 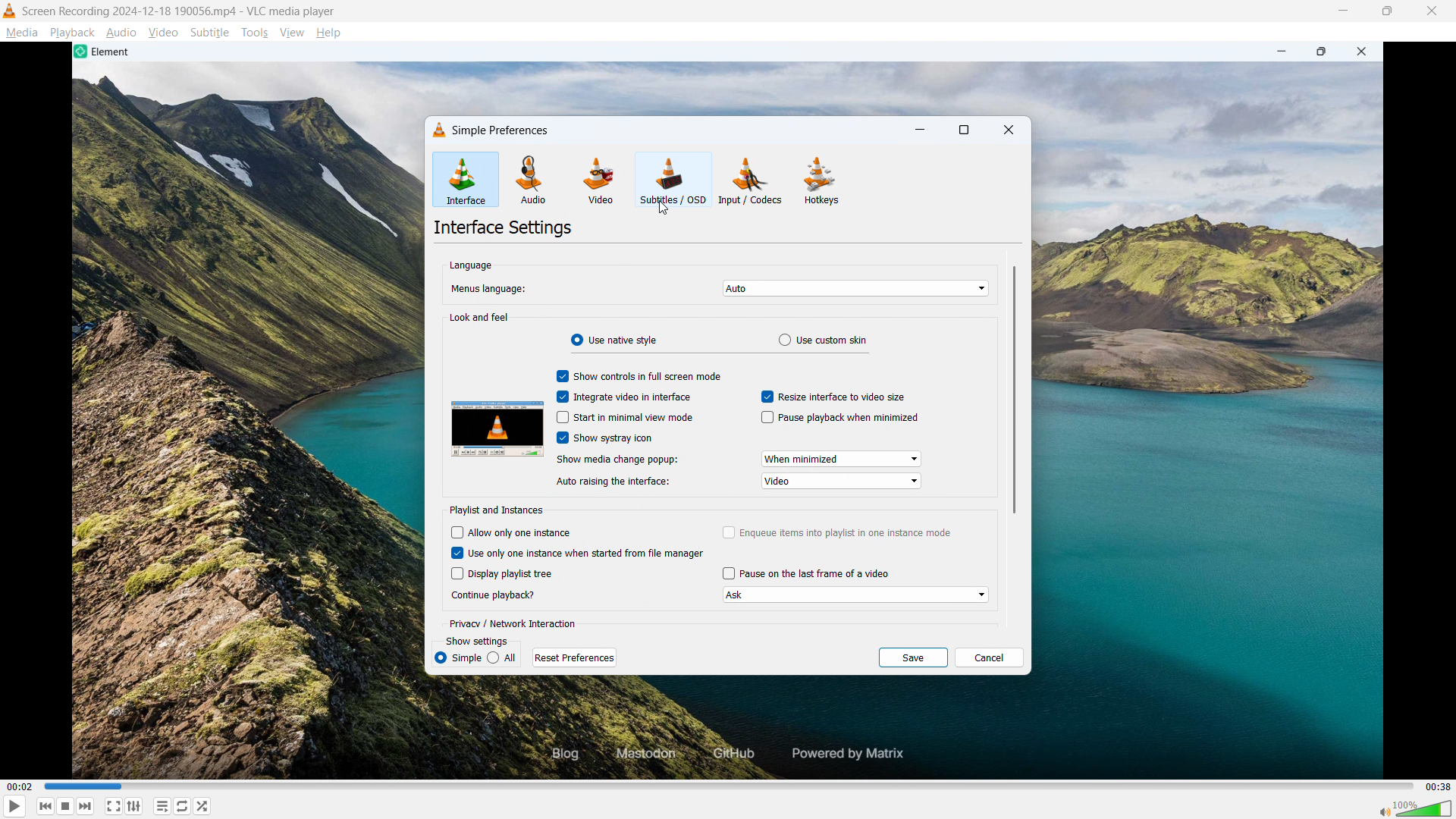 What do you see at coordinates (466, 180) in the screenshot?
I see `Interface ` at bounding box center [466, 180].